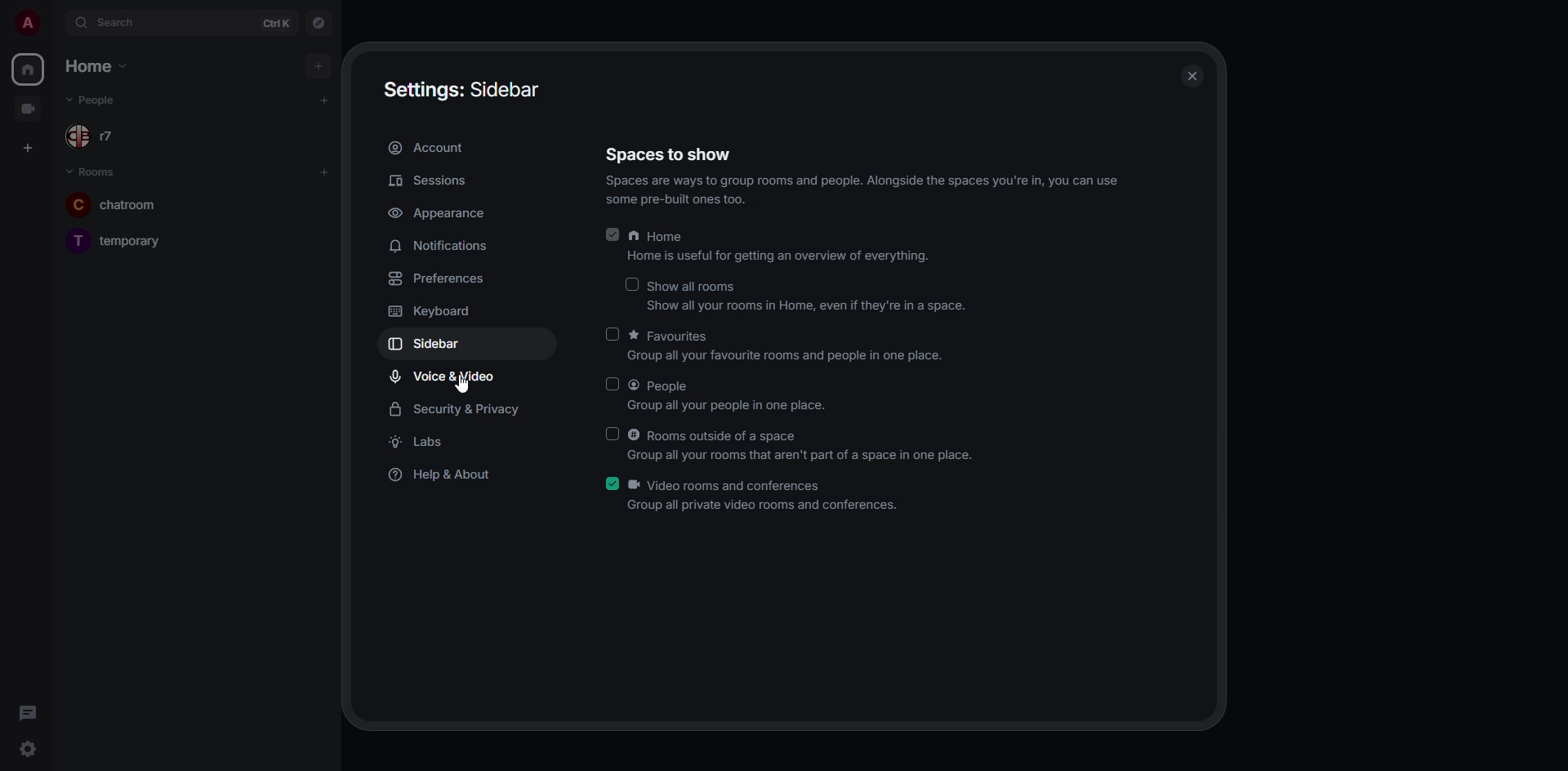 Image resolution: width=1568 pixels, height=771 pixels. What do you see at coordinates (611, 236) in the screenshot?
I see `enabled` at bounding box center [611, 236].